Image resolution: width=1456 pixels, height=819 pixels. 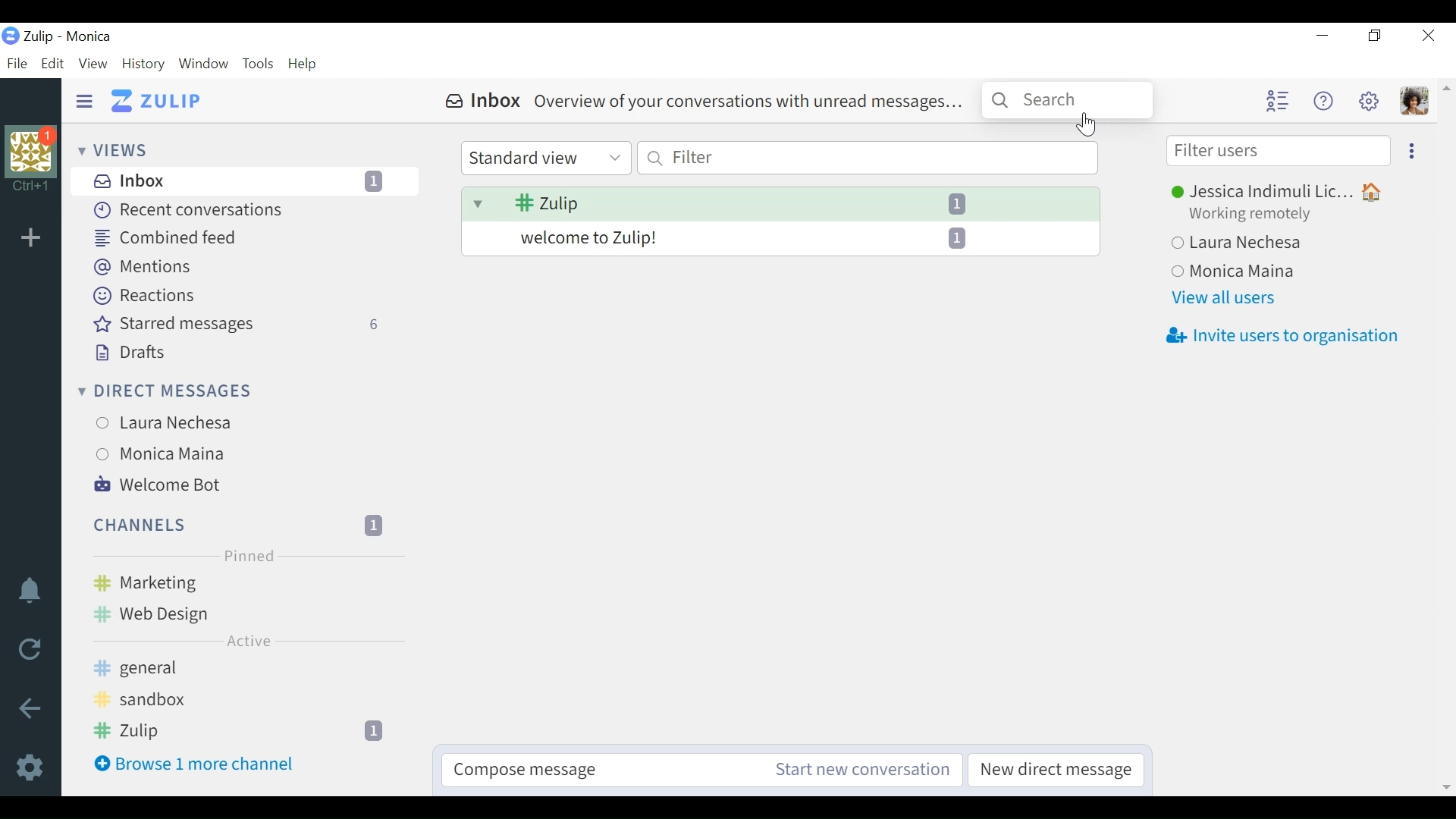 I want to click on Mentions, so click(x=143, y=268).